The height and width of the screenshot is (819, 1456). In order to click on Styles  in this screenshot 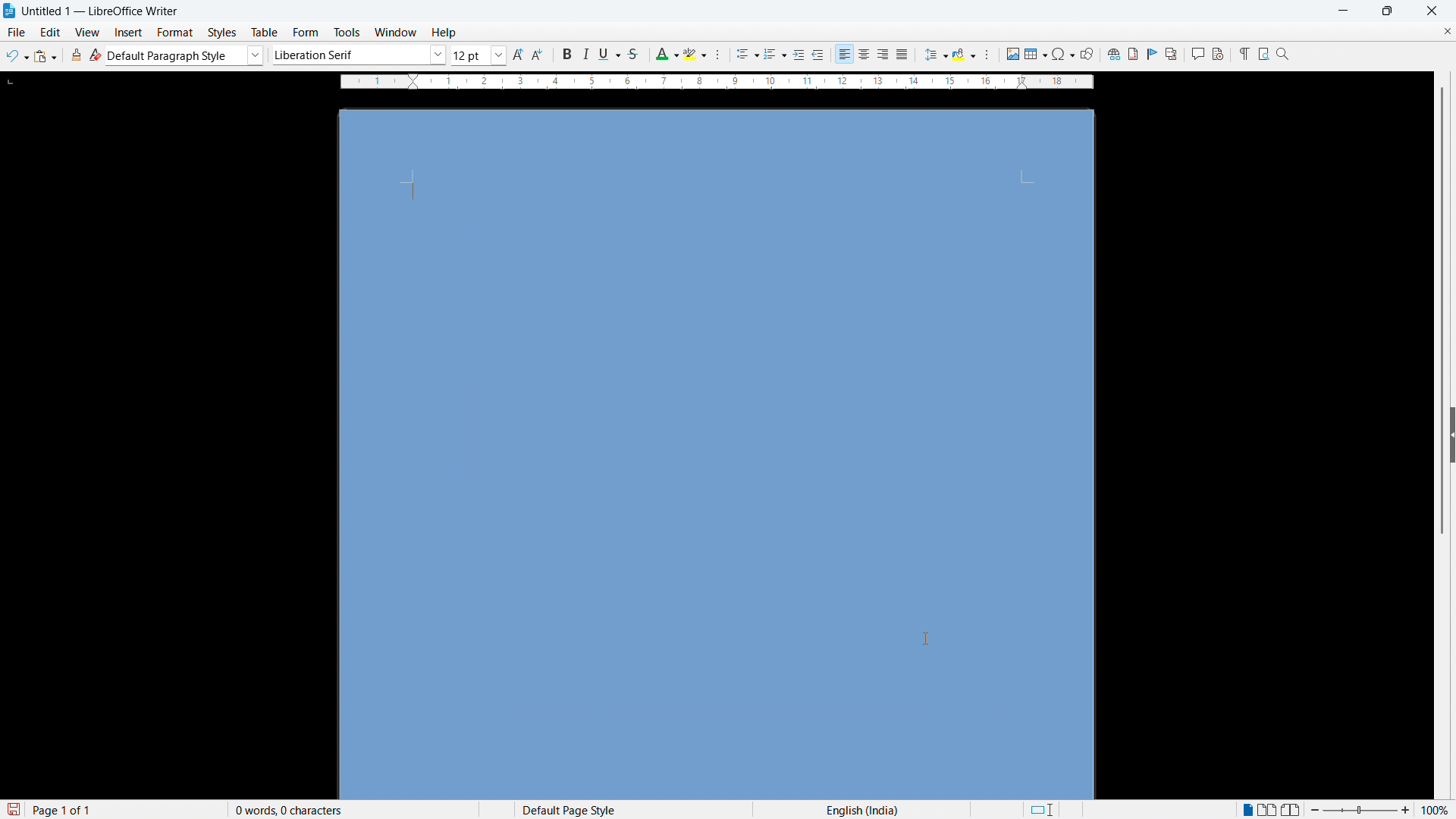, I will do `click(224, 33)`.